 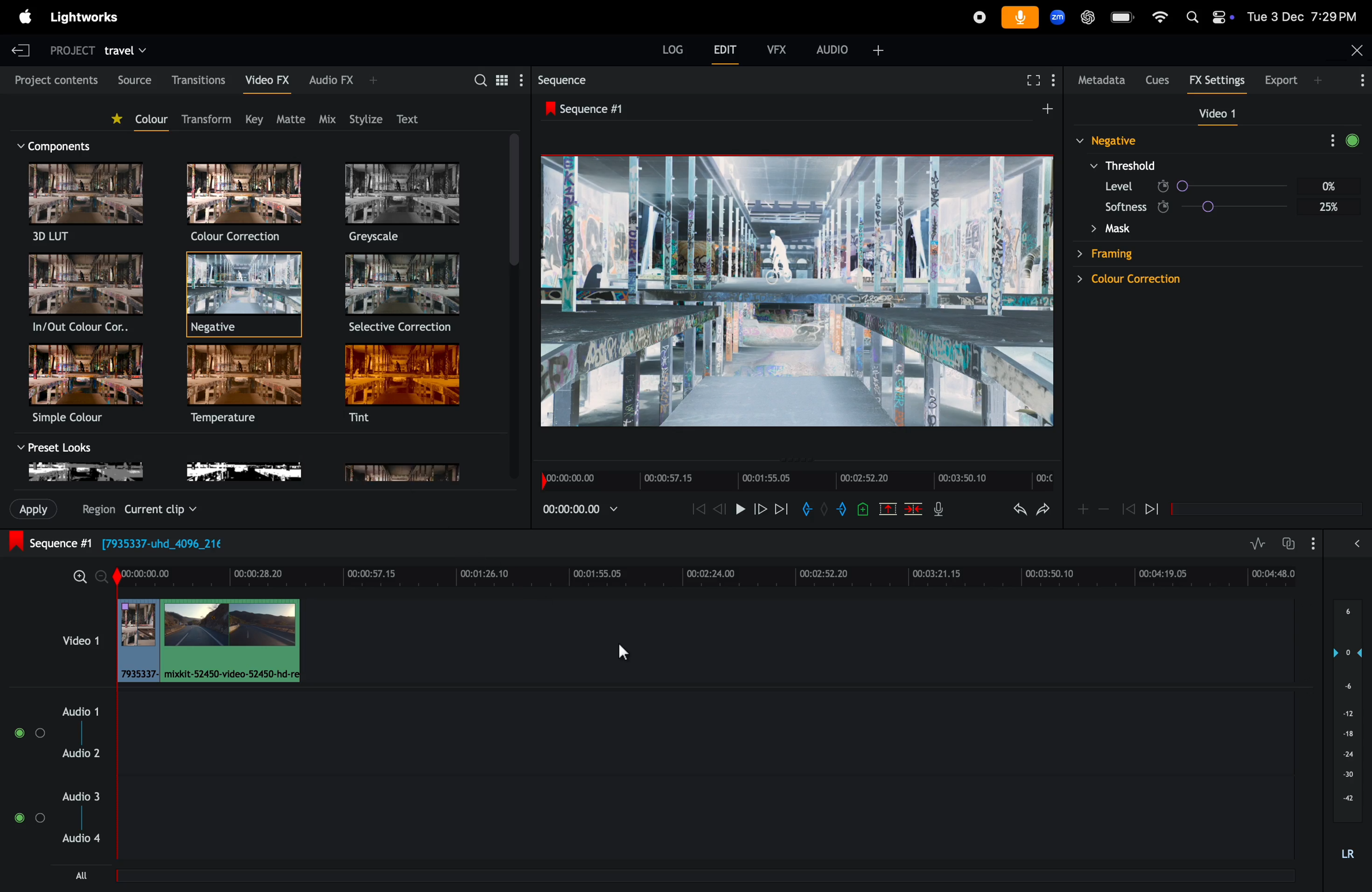 What do you see at coordinates (885, 508) in the screenshot?
I see `cut` at bounding box center [885, 508].